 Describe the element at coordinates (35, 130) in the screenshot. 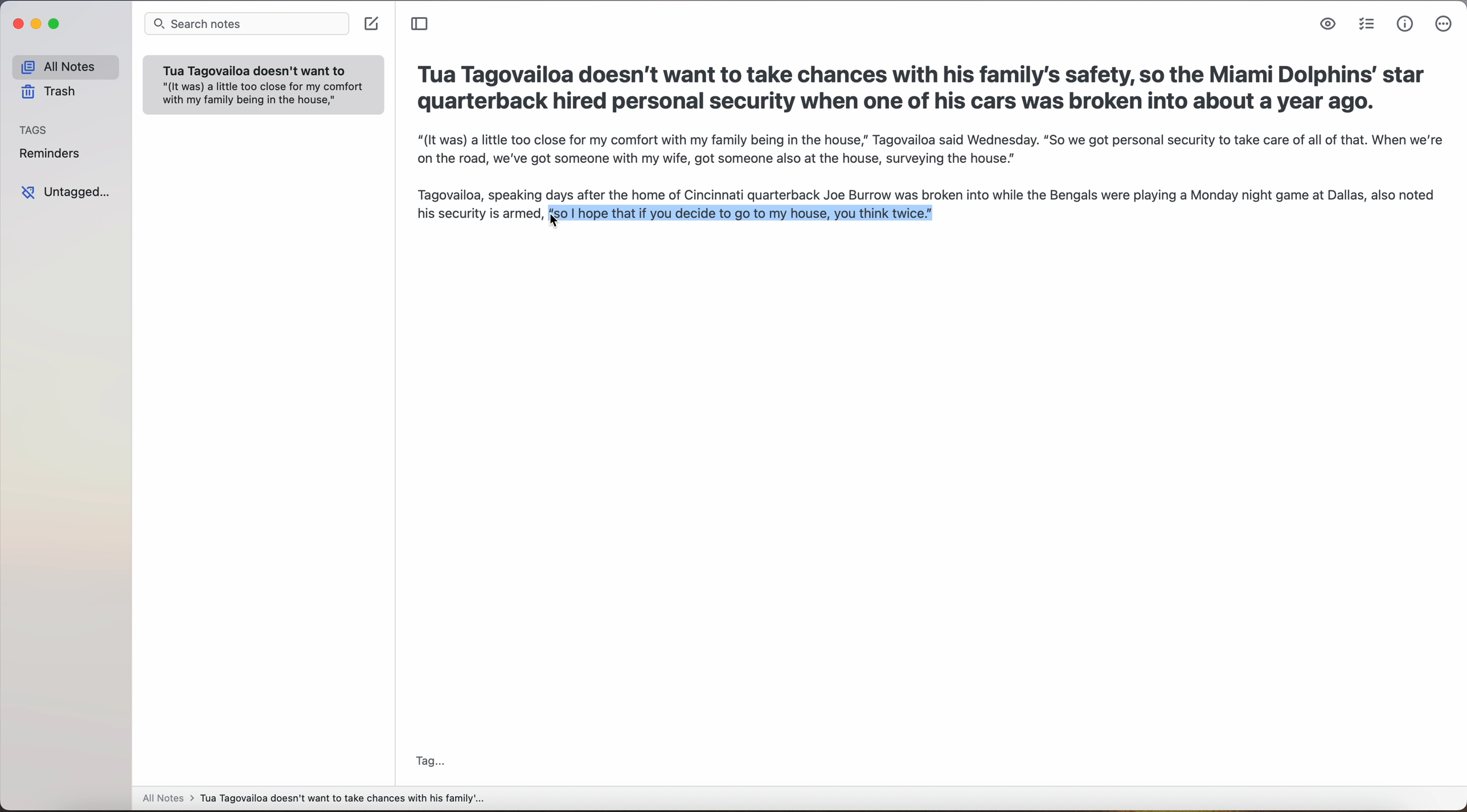

I see `tags` at that location.